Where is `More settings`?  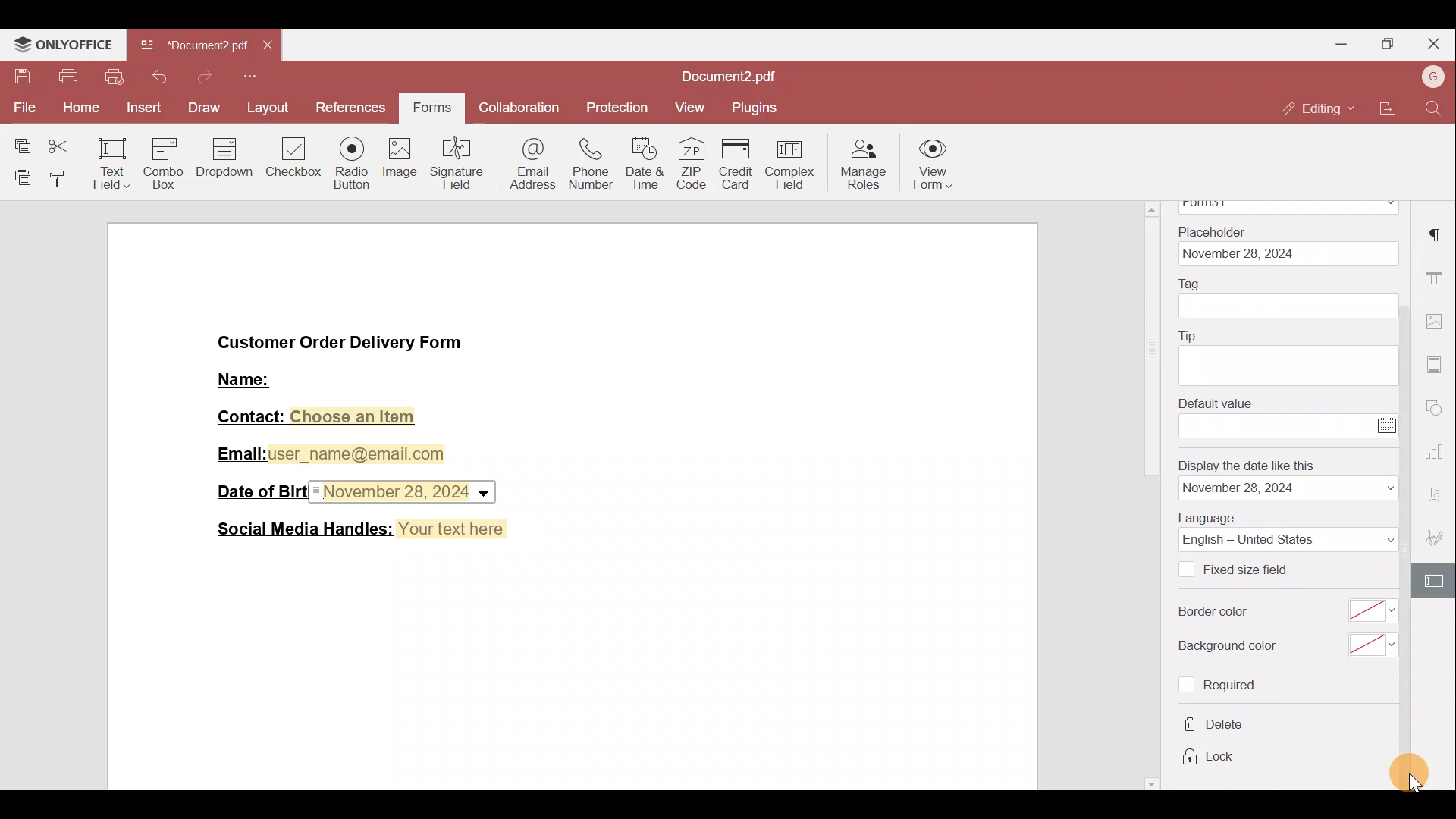 More settings is located at coordinates (1436, 365).